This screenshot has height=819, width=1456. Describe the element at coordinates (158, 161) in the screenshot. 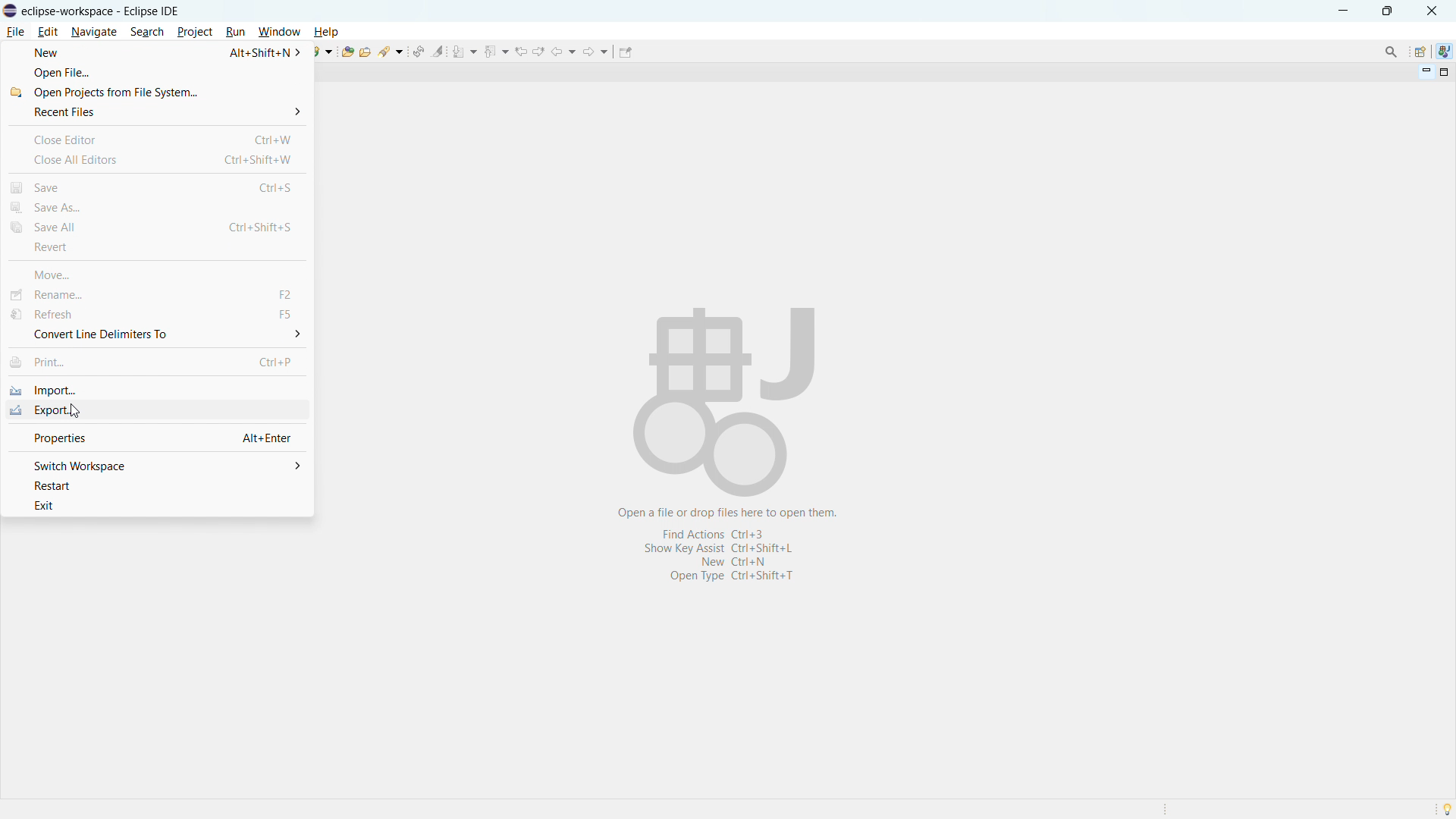

I see `close all editors` at that location.